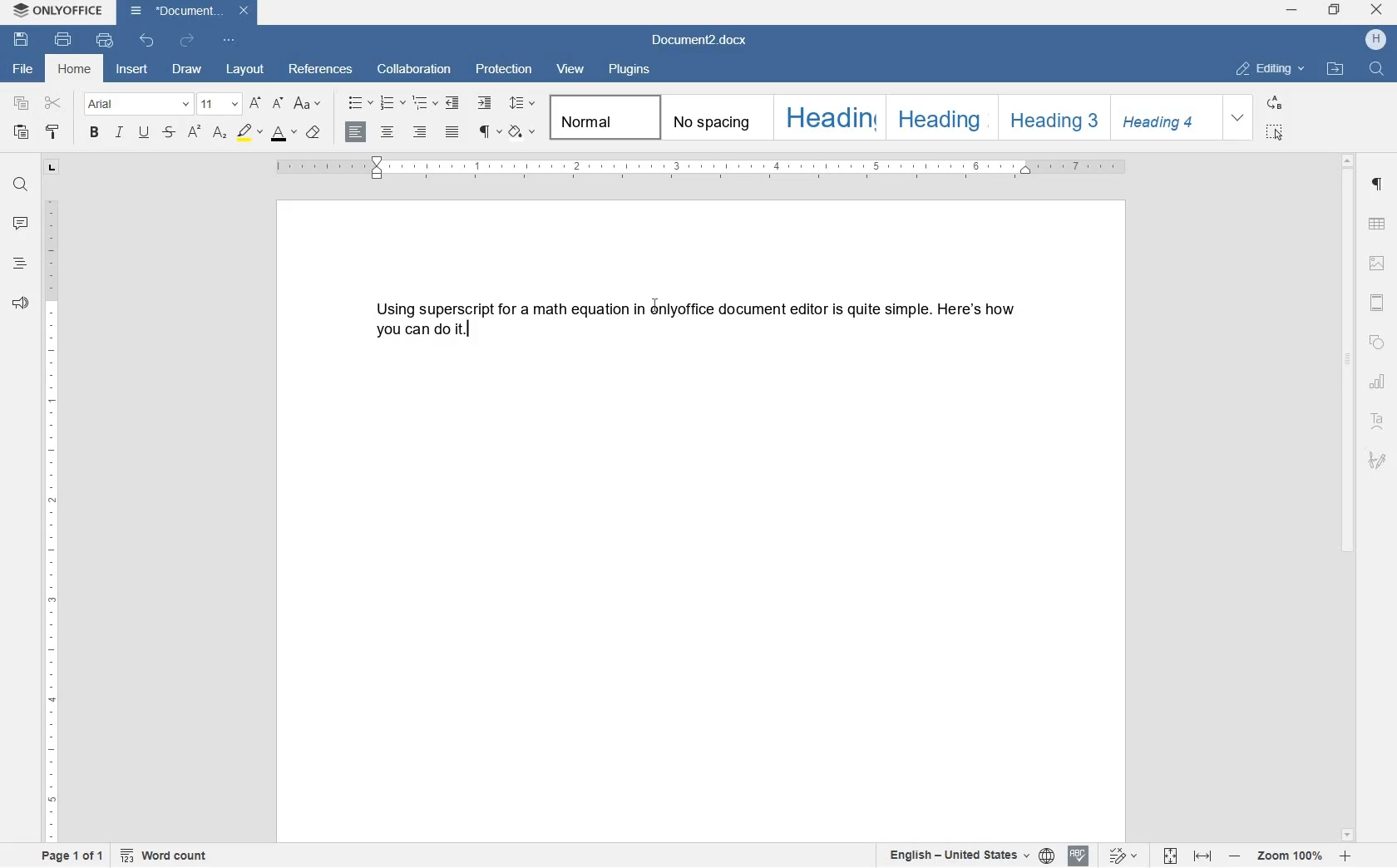  Describe the element at coordinates (1337, 72) in the screenshot. I see `OPEN FILE LOCATION` at that location.